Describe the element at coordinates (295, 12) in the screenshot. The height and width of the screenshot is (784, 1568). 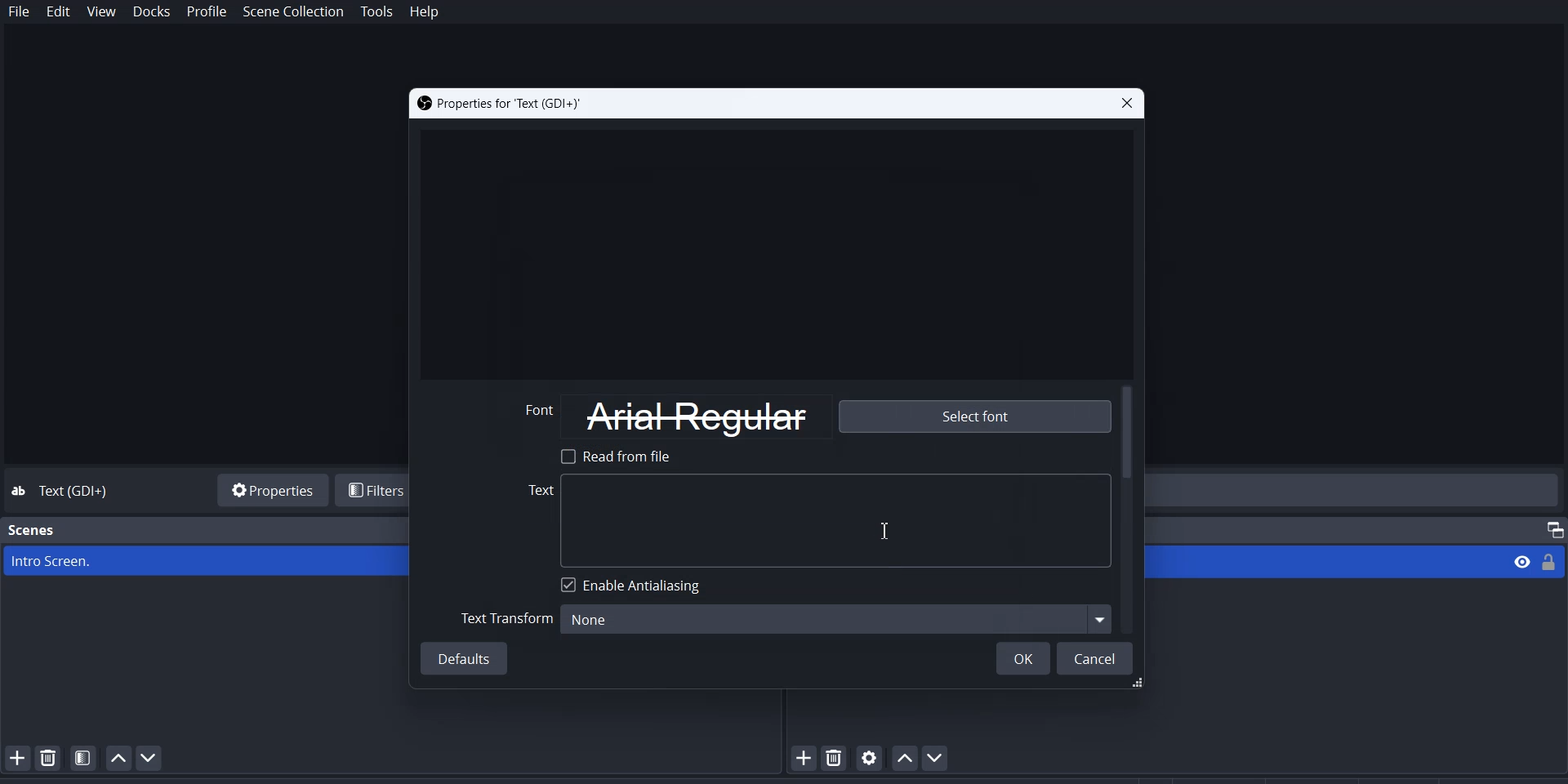
I see `Scene collection` at that location.